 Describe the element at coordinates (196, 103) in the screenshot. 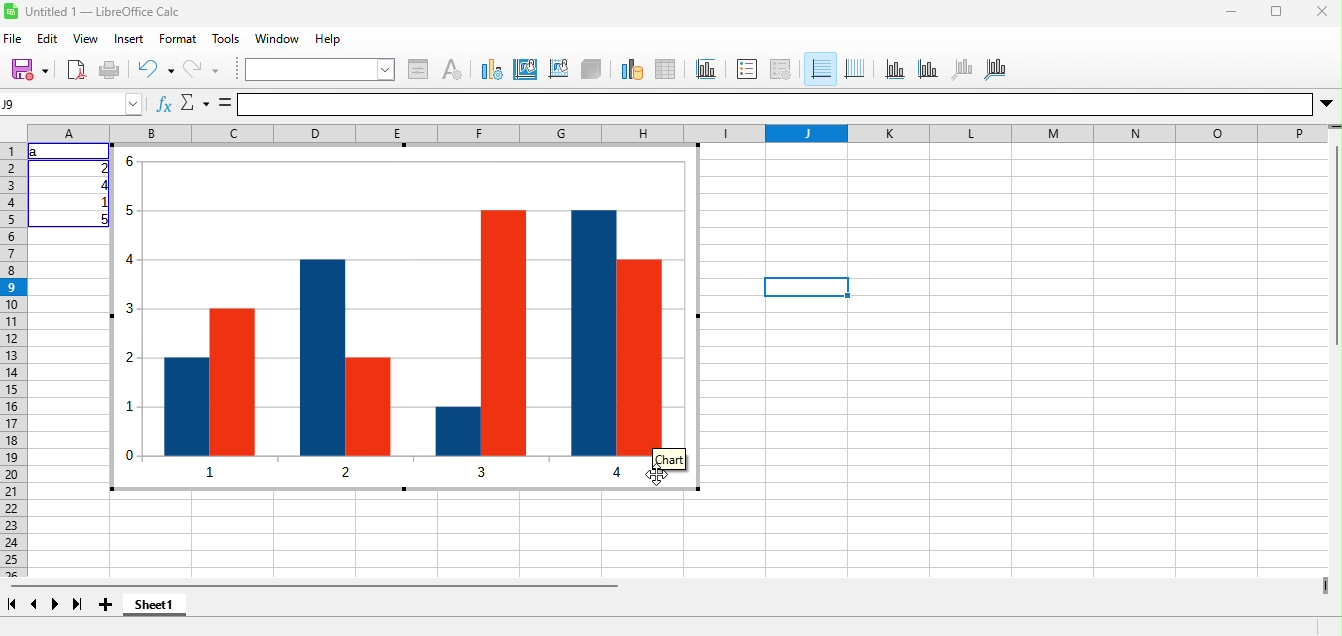

I see `select function` at that location.